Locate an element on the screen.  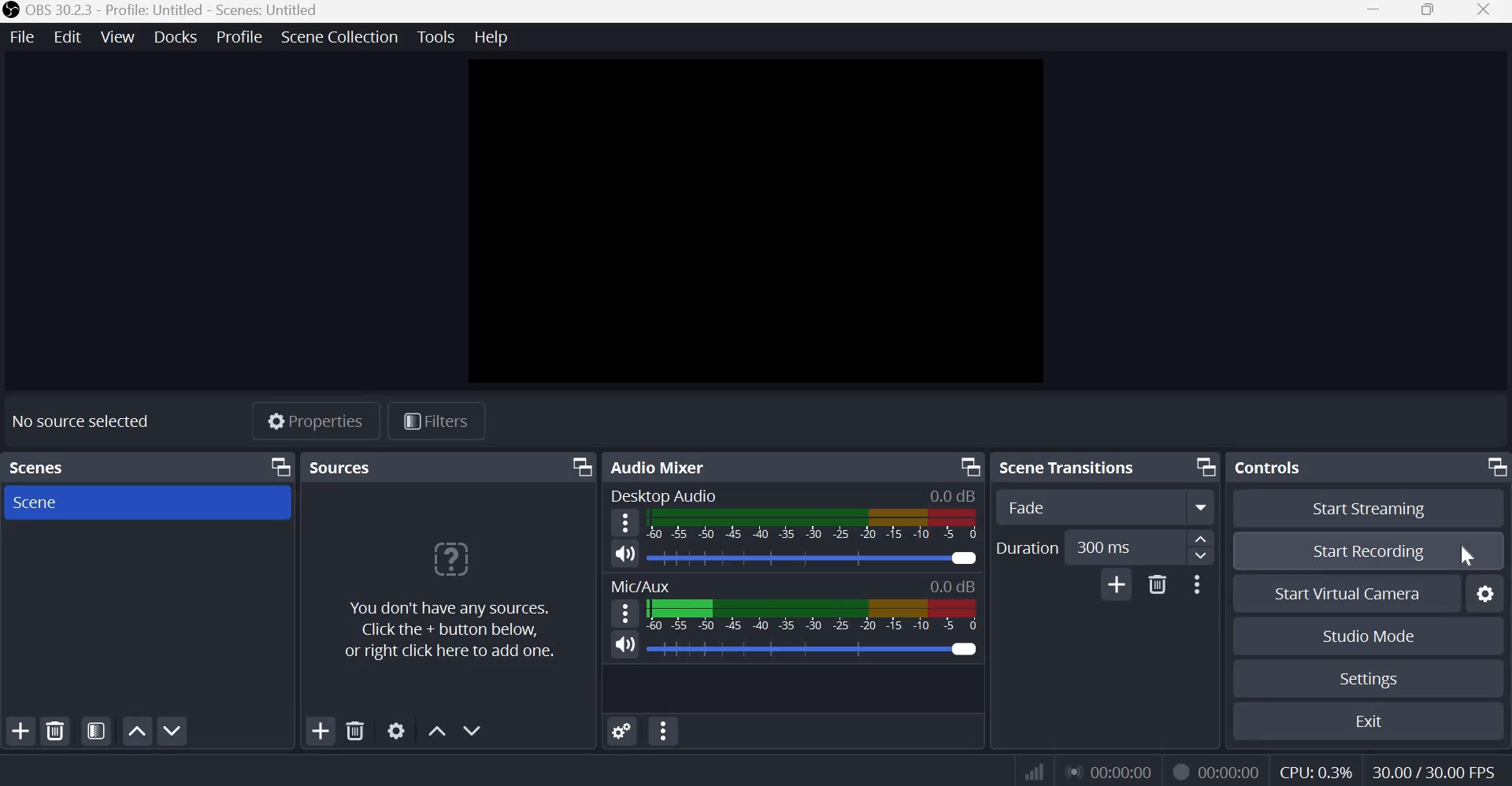
Delete selected scene is located at coordinates (56, 732).